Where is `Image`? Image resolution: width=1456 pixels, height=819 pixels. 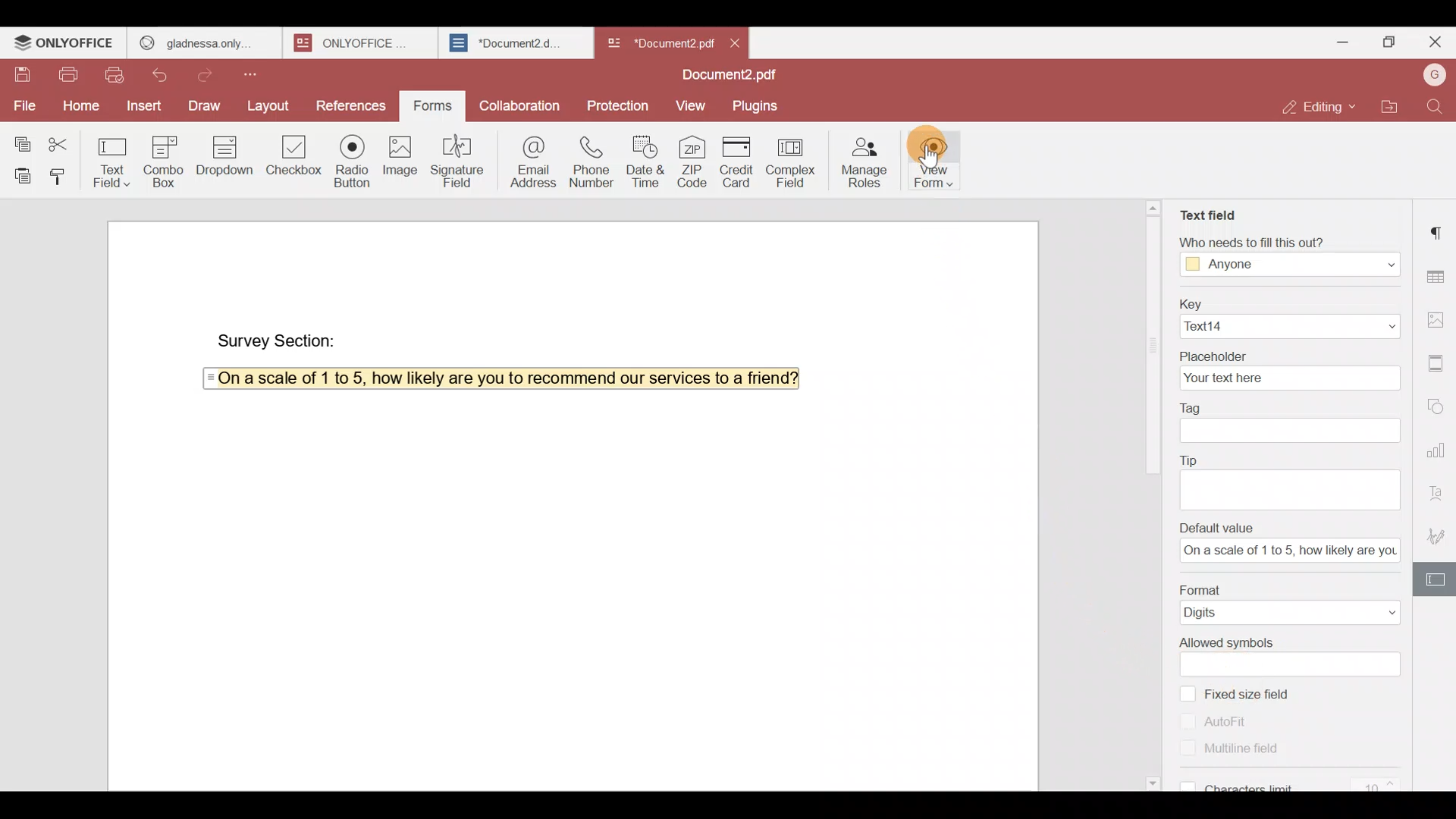 Image is located at coordinates (399, 158).